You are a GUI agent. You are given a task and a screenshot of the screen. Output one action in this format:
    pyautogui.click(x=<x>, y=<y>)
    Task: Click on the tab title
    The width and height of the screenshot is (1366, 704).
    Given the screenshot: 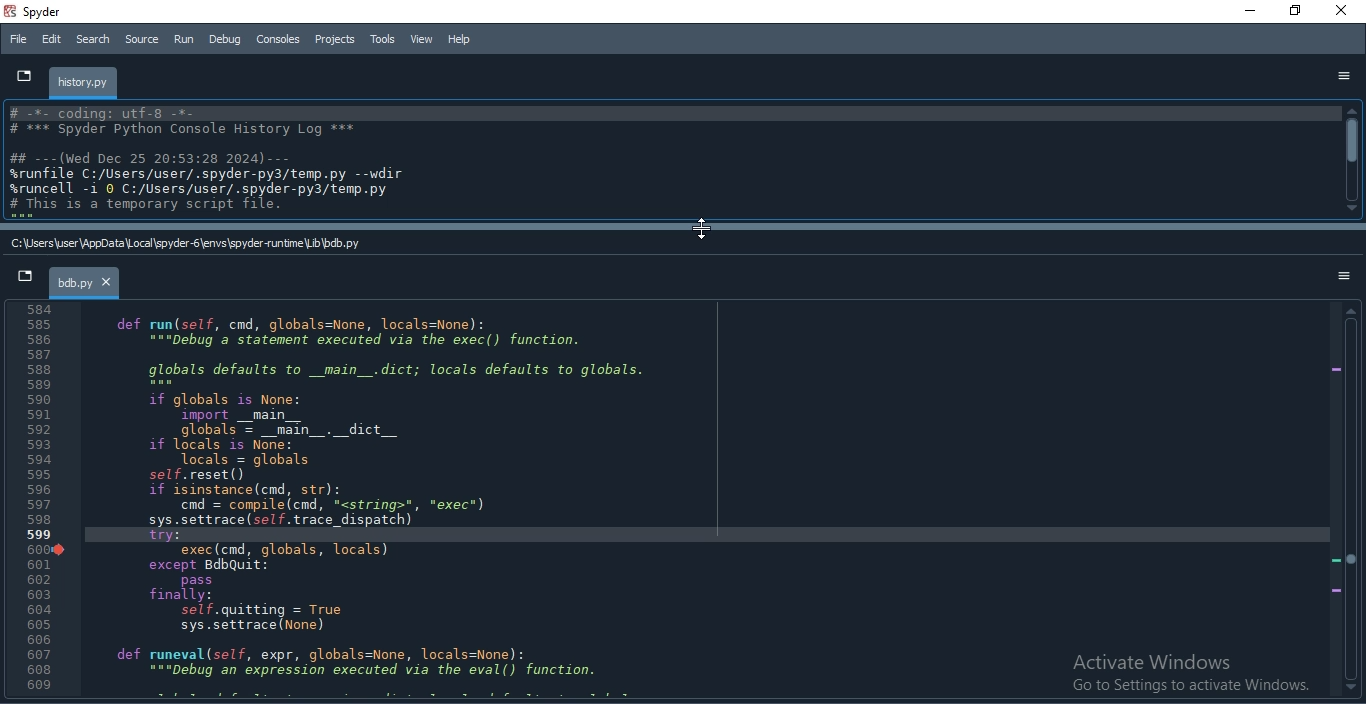 What is the action you would take?
    pyautogui.click(x=85, y=83)
    